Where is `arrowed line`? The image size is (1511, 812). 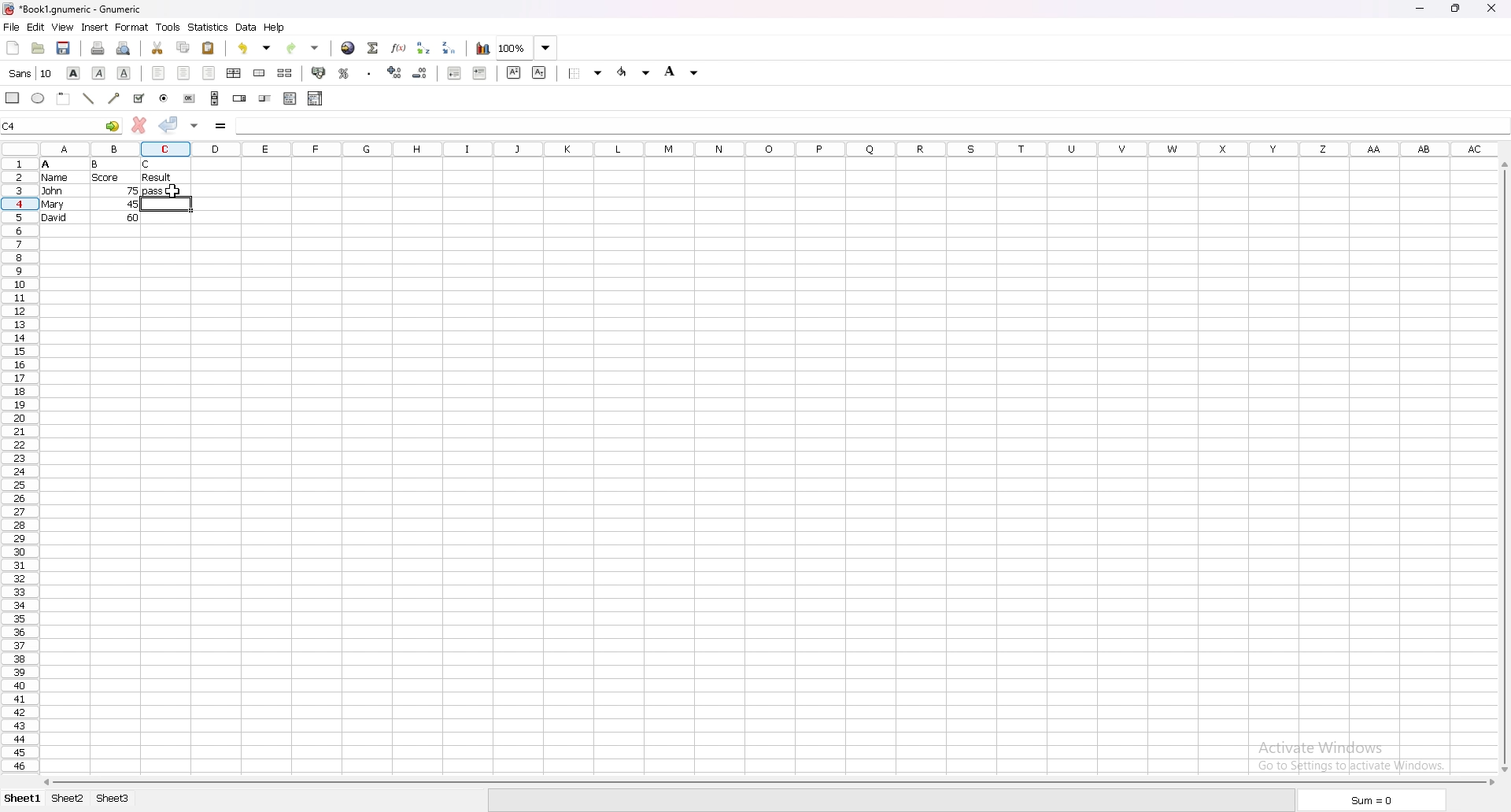 arrowed line is located at coordinates (116, 98).